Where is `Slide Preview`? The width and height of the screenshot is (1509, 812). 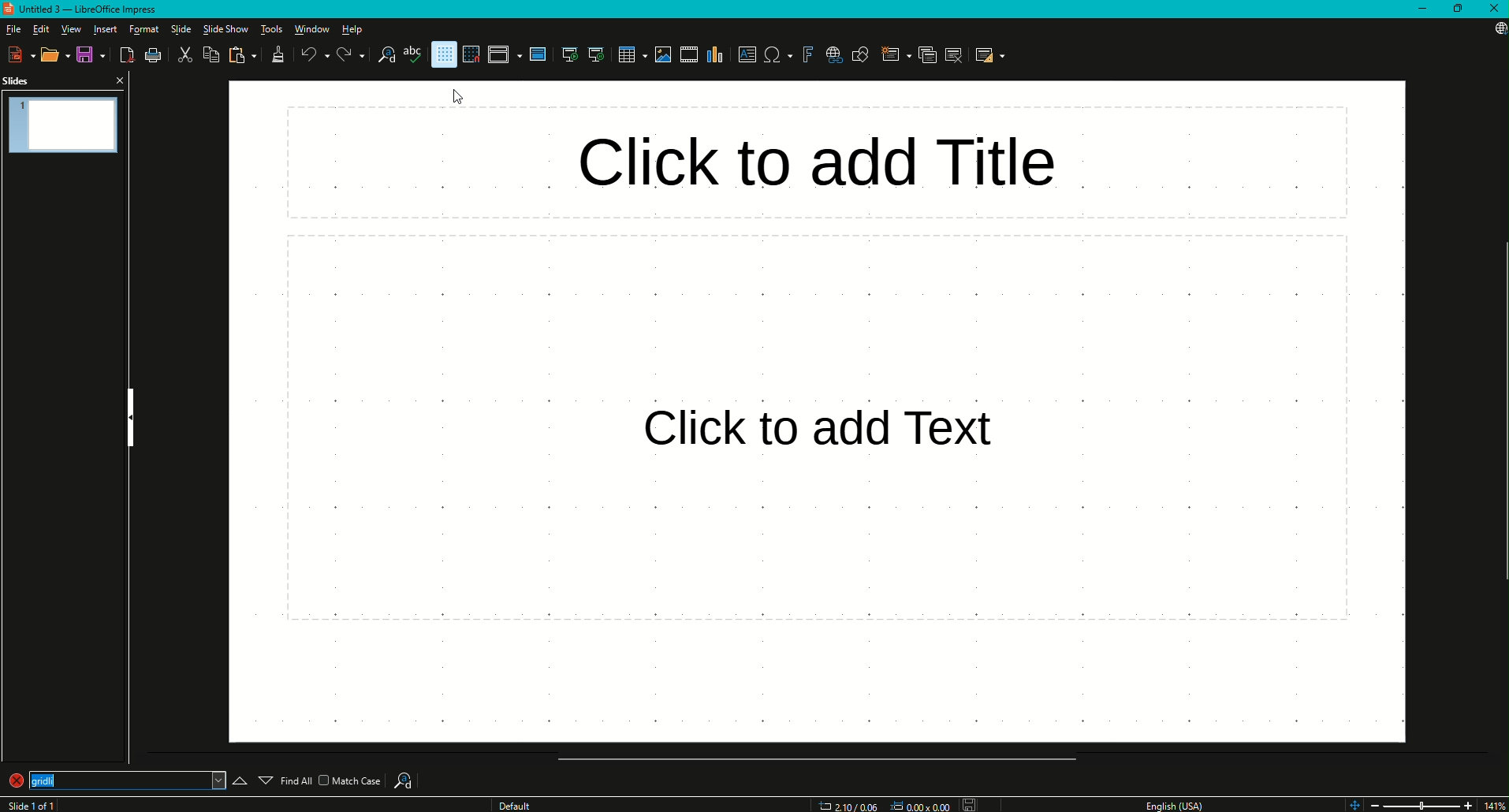 Slide Preview is located at coordinates (63, 123).